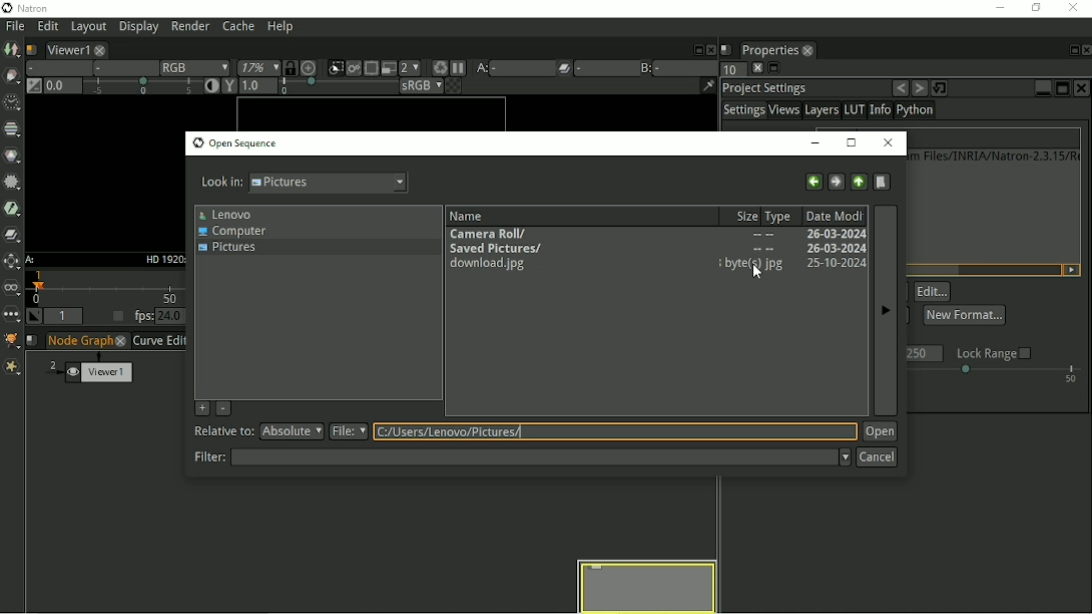  What do you see at coordinates (224, 410) in the screenshot?
I see `Remove from favorites` at bounding box center [224, 410].